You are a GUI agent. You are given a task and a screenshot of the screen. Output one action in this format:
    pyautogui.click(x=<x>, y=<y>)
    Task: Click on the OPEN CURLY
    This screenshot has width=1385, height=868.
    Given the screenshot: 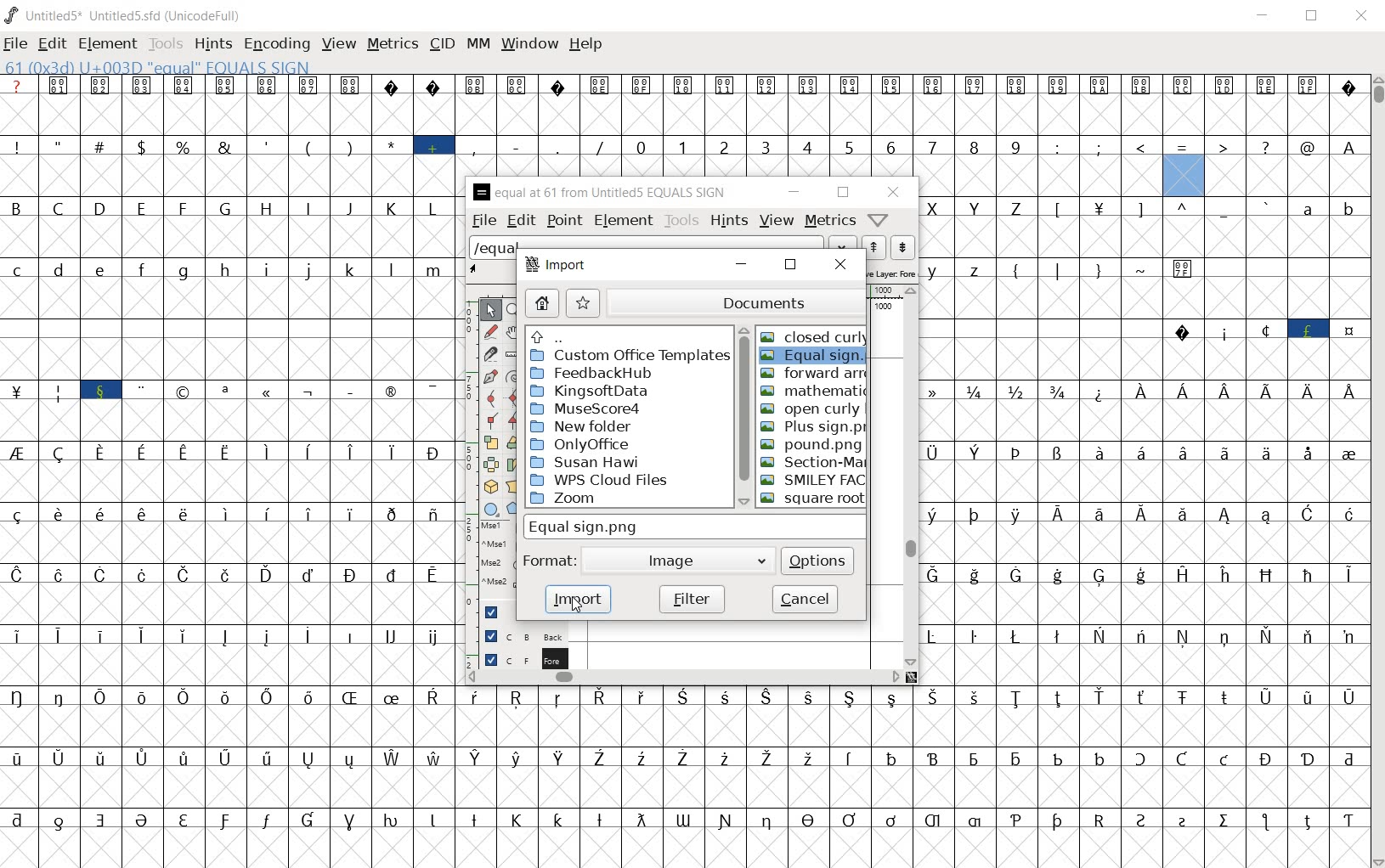 What is the action you would take?
    pyautogui.click(x=814, y=407)
    